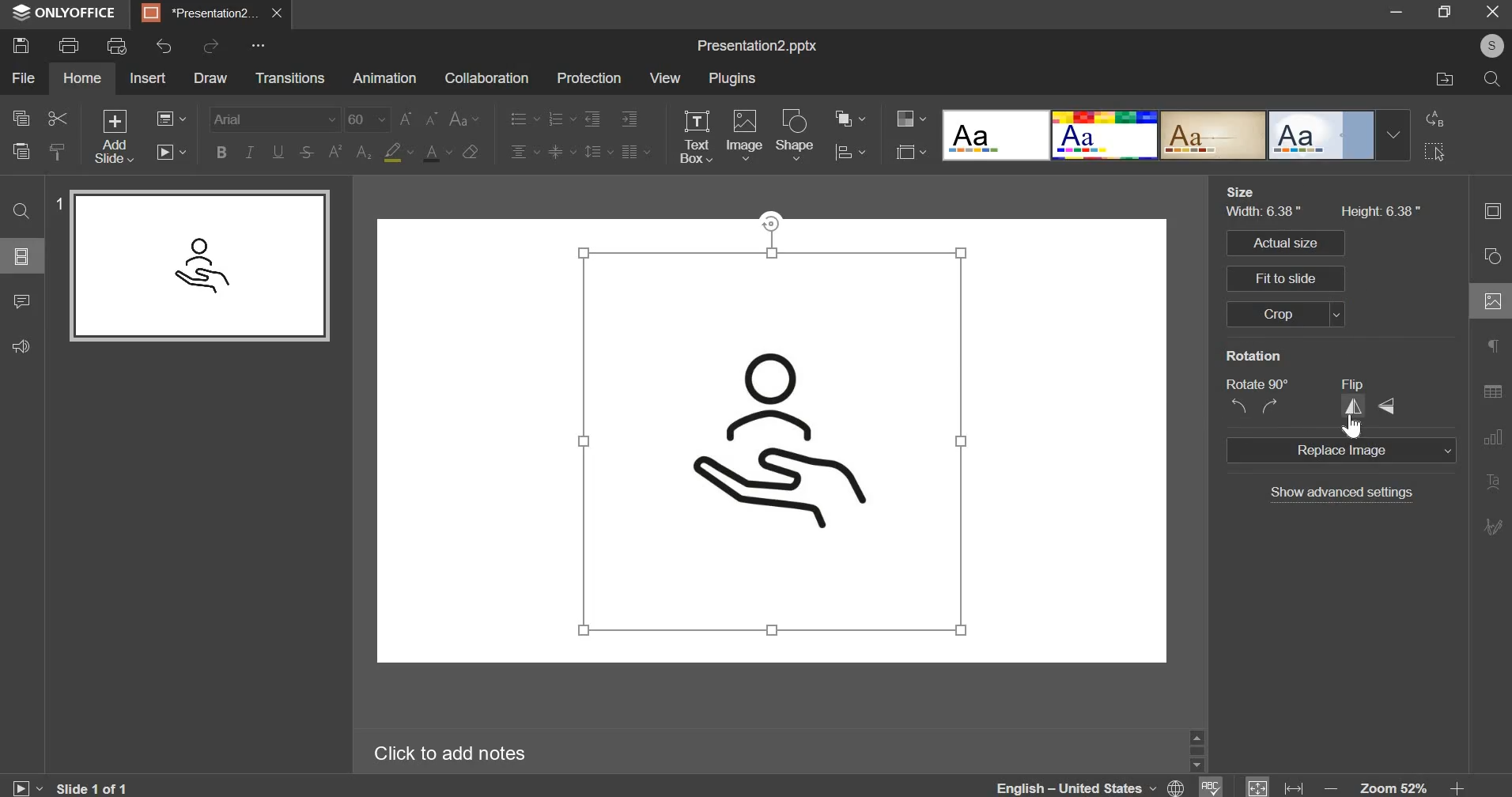  What do you see at coordinates (448, 753) in the screenshot?
I see `Click to add notes` at bounding box center [448, 753].